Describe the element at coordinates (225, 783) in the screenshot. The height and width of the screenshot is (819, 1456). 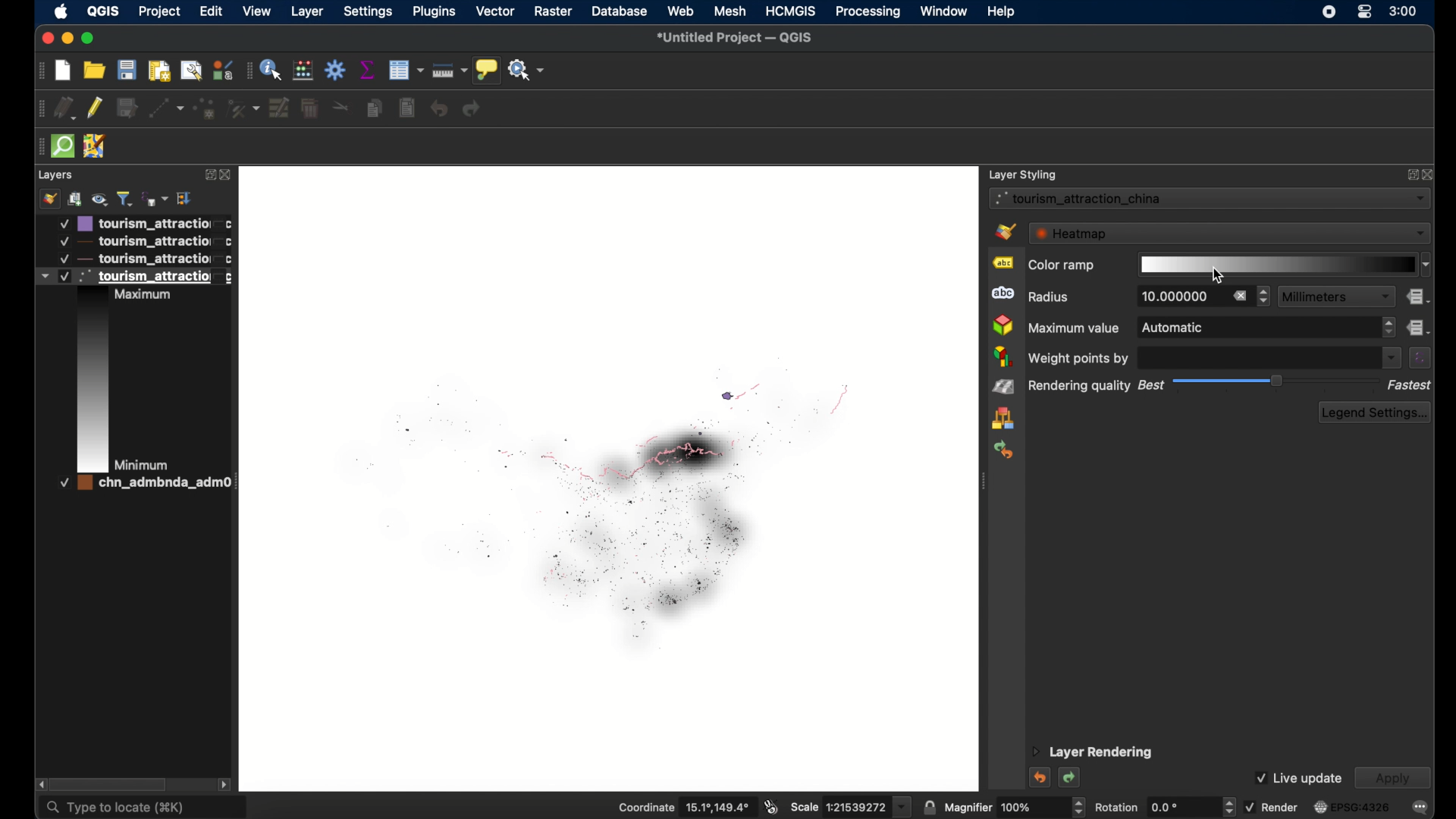
I see `scroll right arrow` at that location.